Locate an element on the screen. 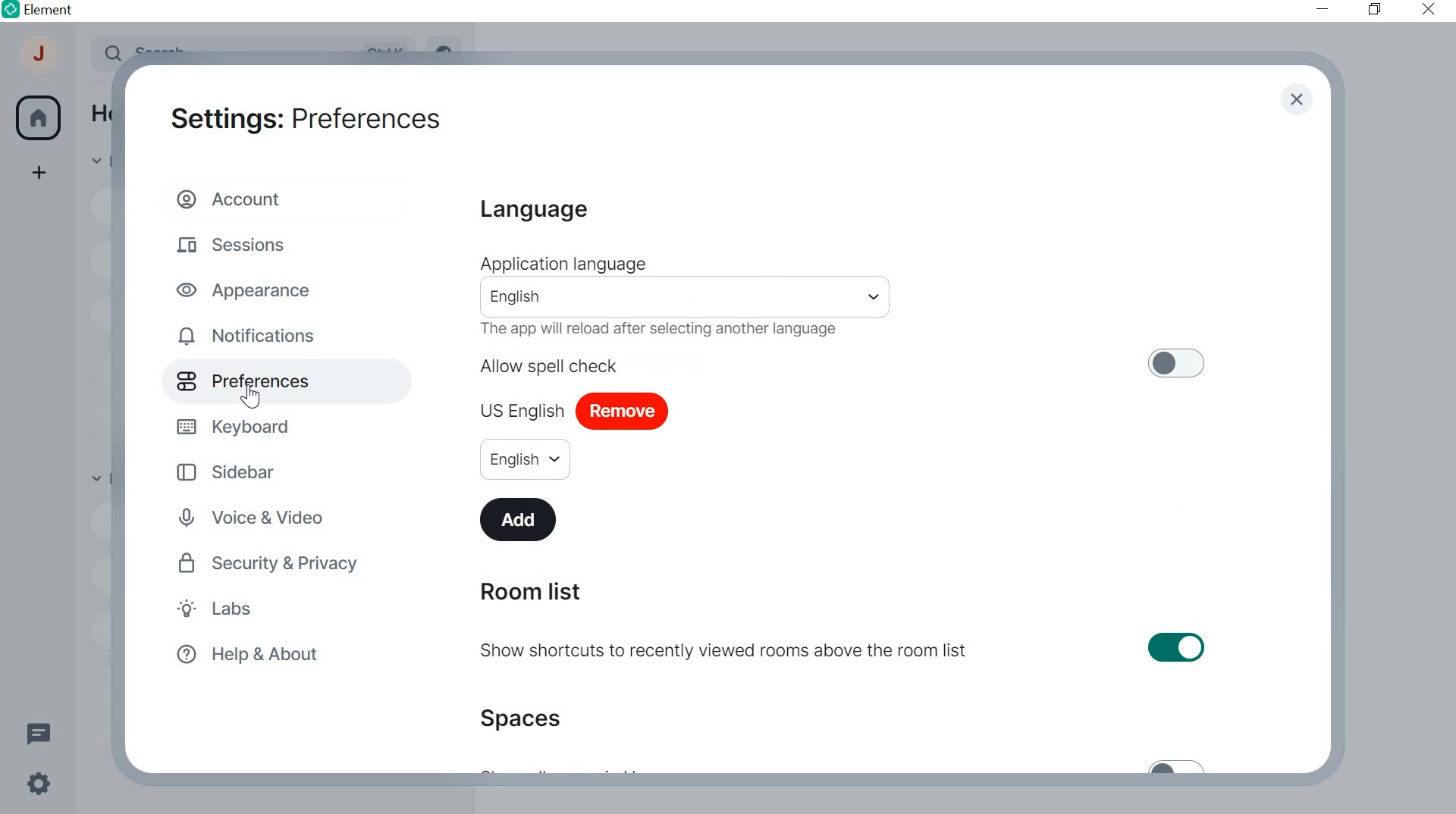 This screenshot has width=1456, height=814. VIDEO & VIDEO is located at coordinates (265, 519).